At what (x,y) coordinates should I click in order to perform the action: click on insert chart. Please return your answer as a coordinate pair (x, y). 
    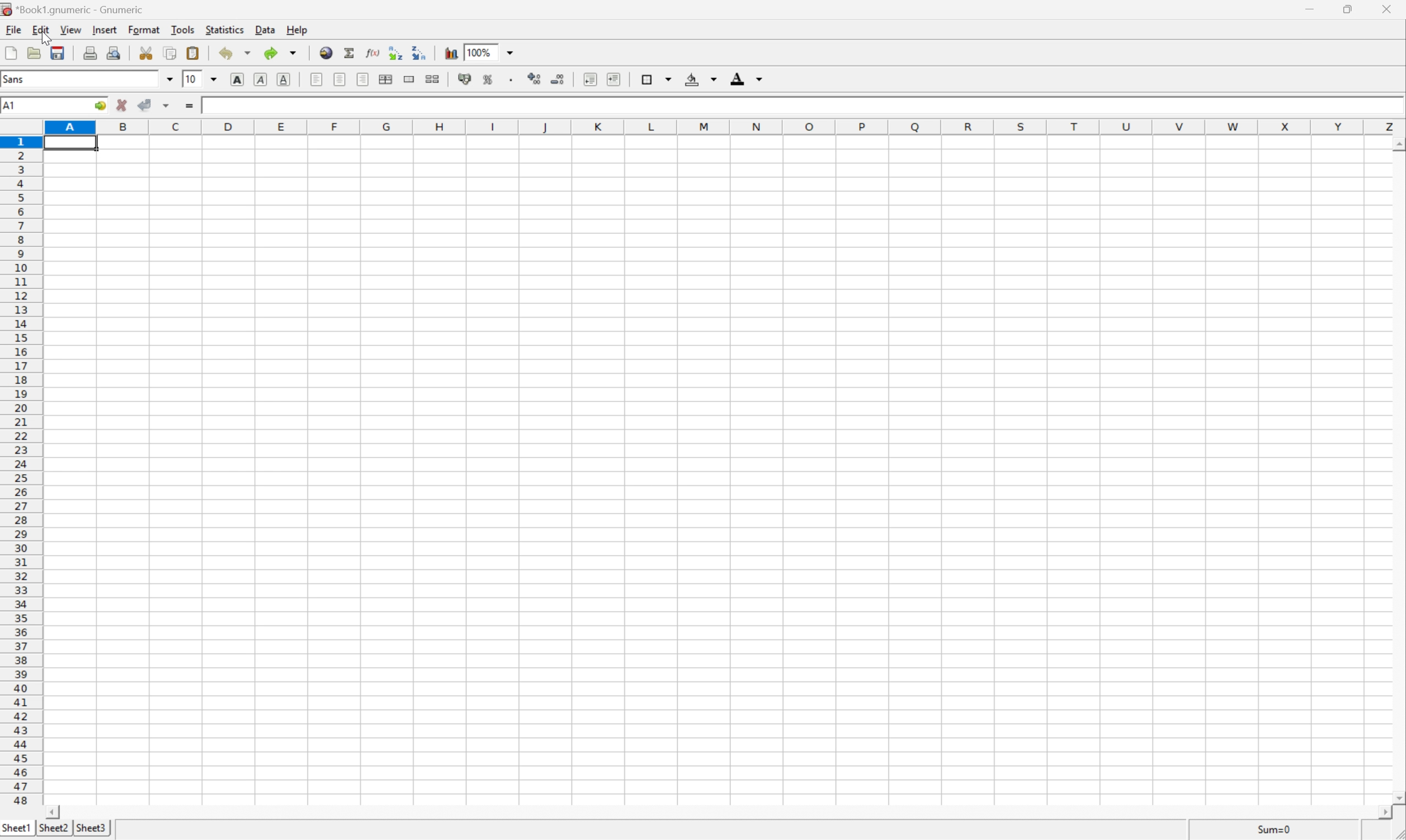
    Looking at the image, I should click on (451, 52).